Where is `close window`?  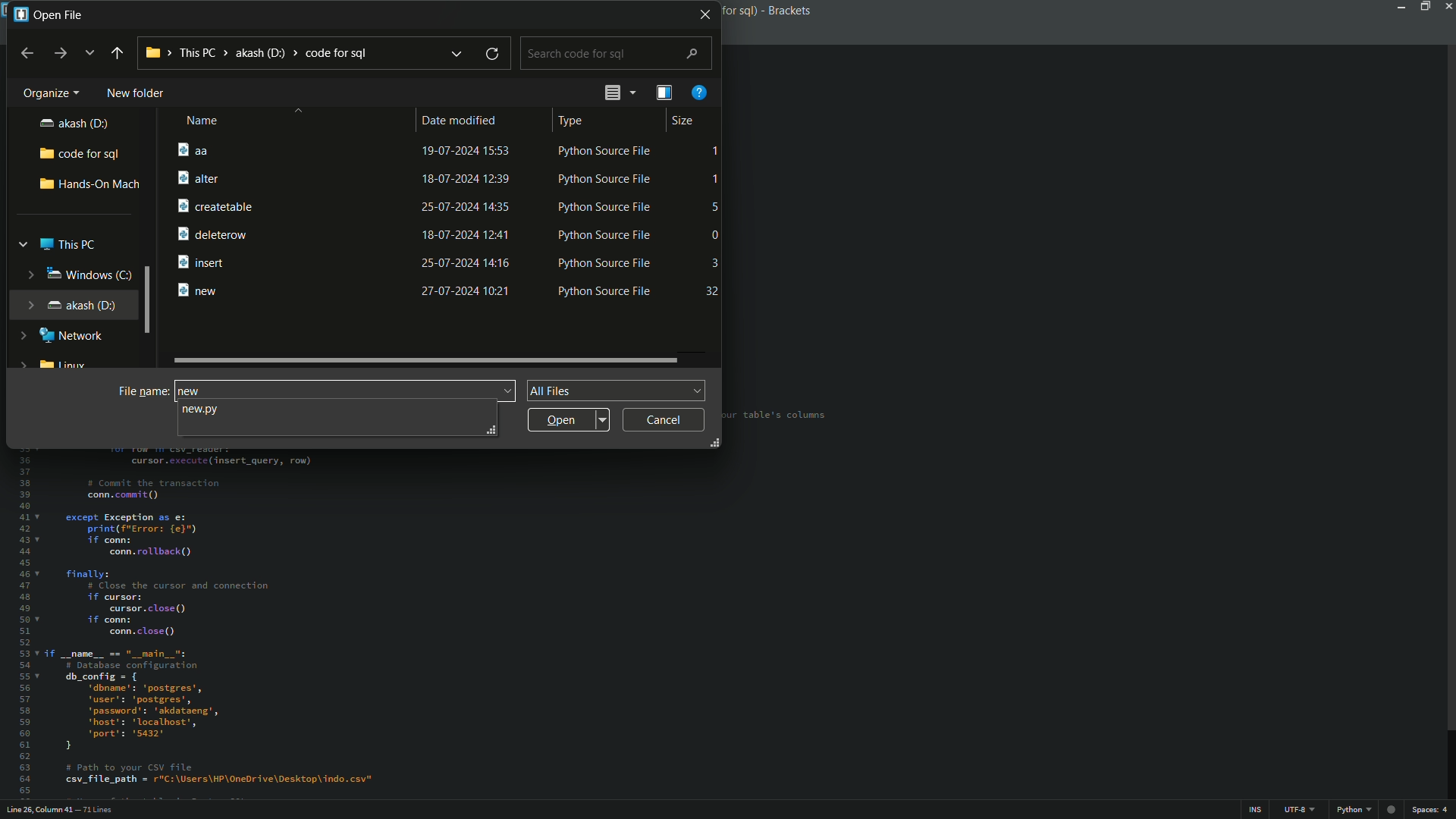
close window is located at coordinates (706, 14).